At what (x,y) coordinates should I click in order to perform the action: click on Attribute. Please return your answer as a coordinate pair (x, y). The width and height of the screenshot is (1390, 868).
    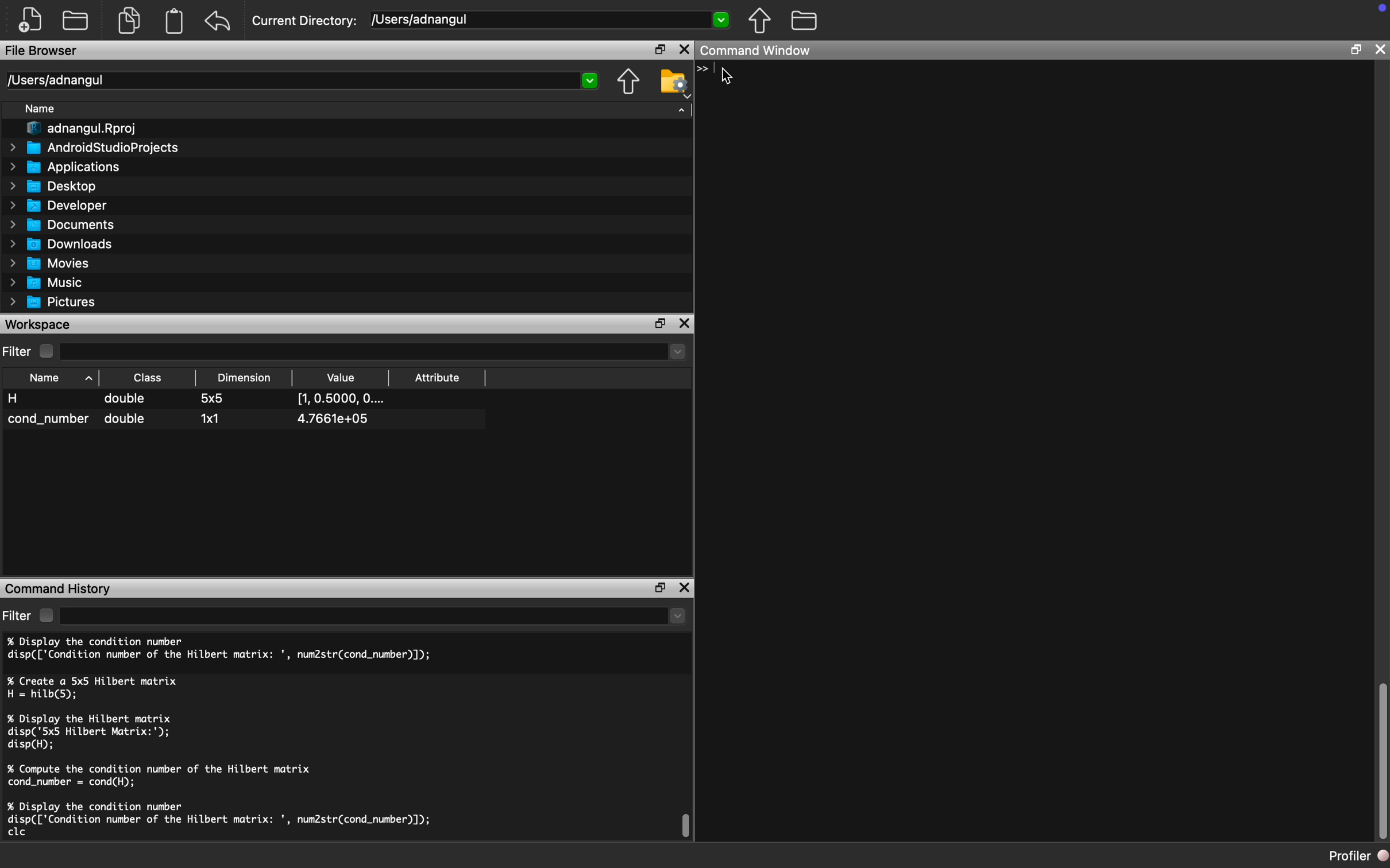
    Looking at the image, I should click on (441, 377).